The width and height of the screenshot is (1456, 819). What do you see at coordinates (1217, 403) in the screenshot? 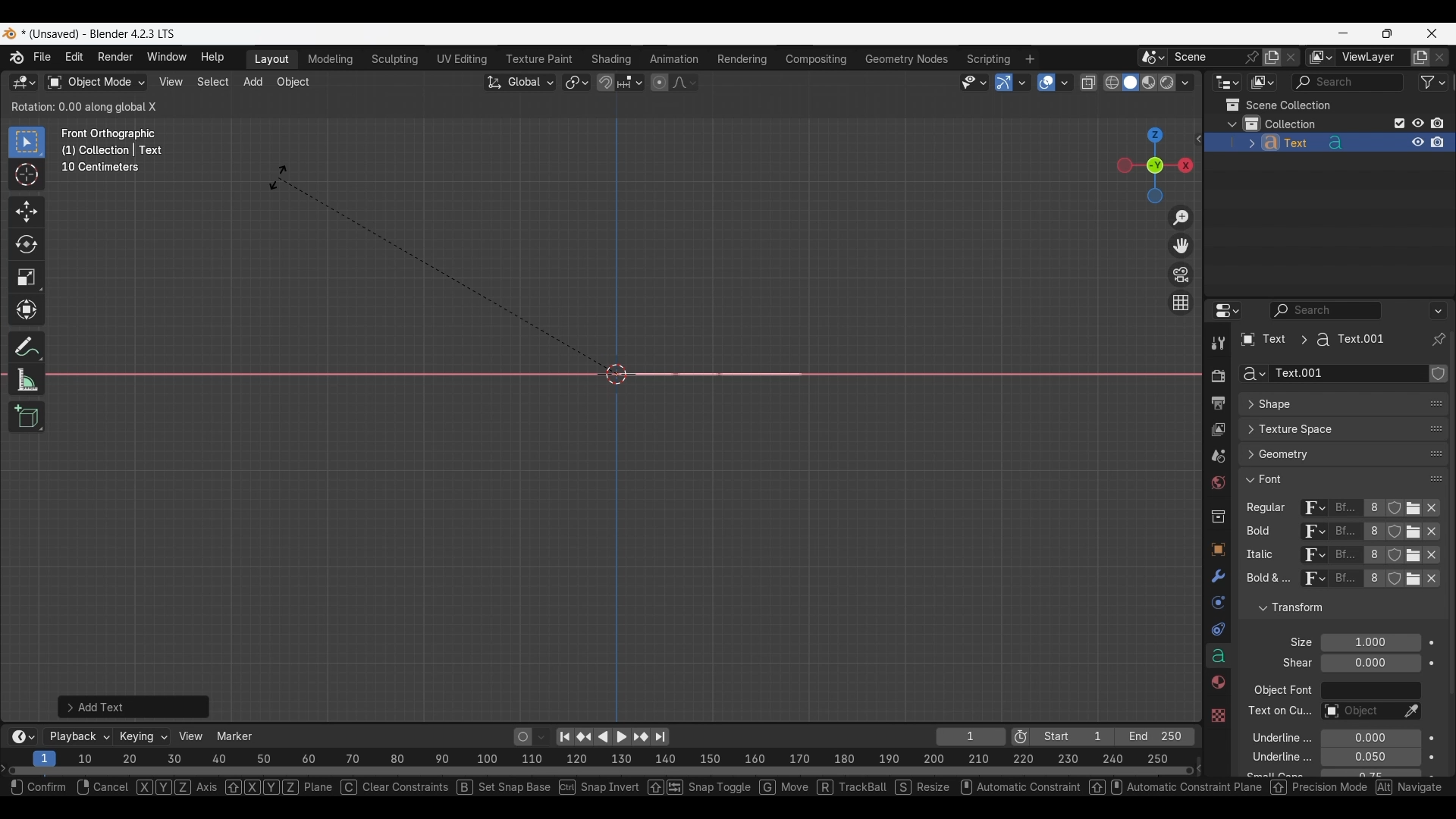
I see `Output` at bounding box center [1217, 403].